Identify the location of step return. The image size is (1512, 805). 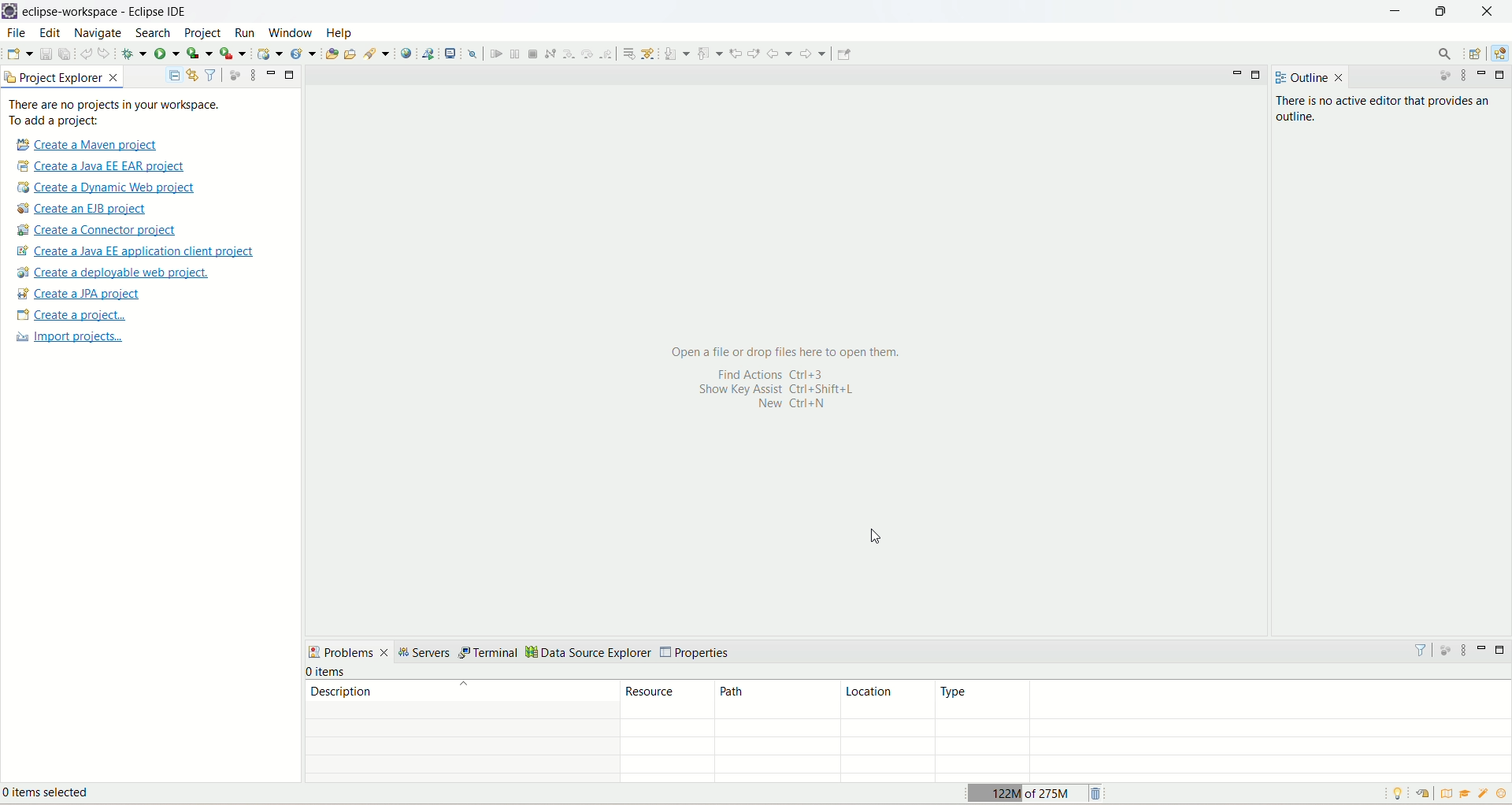
(607, 54).